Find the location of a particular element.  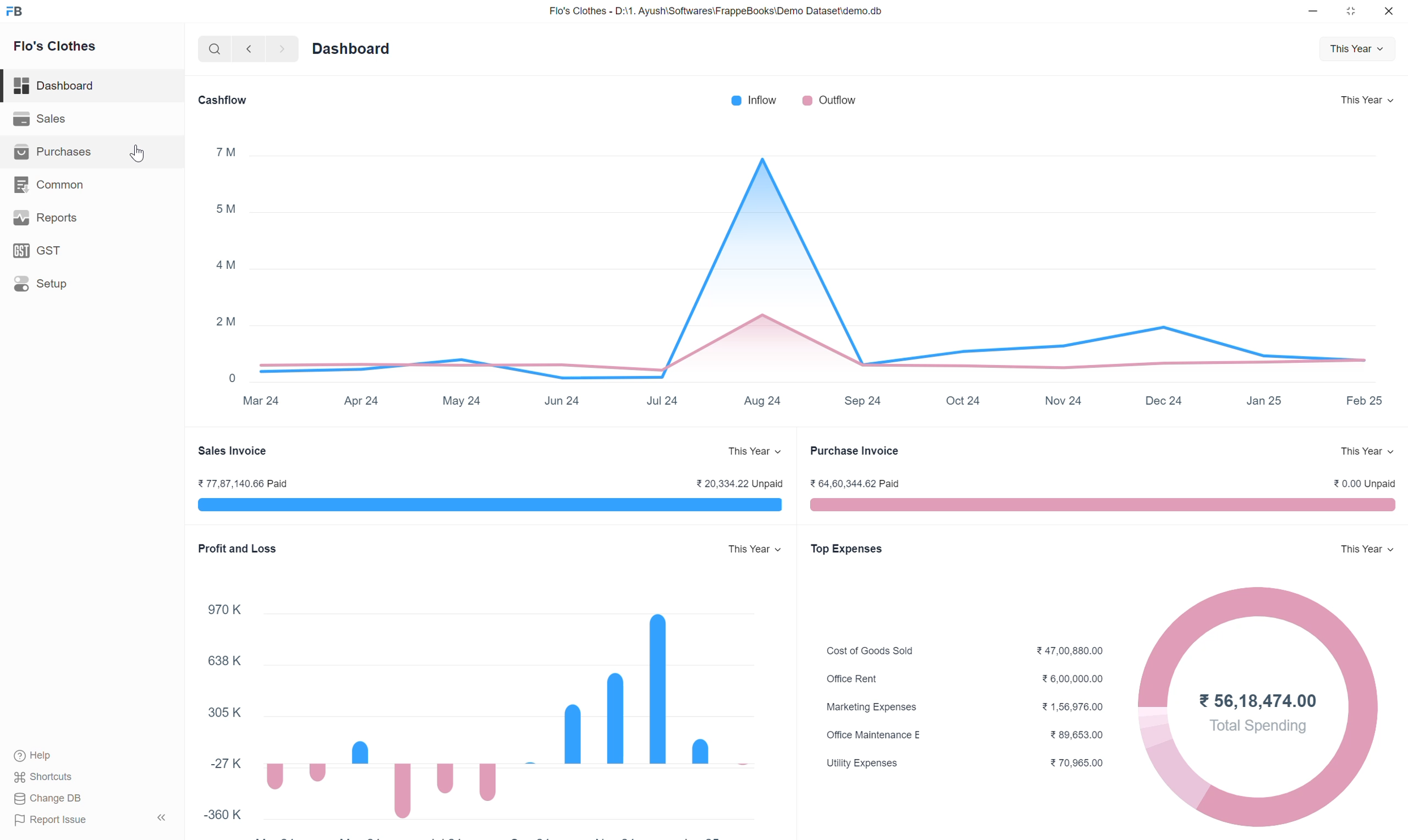

Oct 24 is located at coordinates (965, 400).